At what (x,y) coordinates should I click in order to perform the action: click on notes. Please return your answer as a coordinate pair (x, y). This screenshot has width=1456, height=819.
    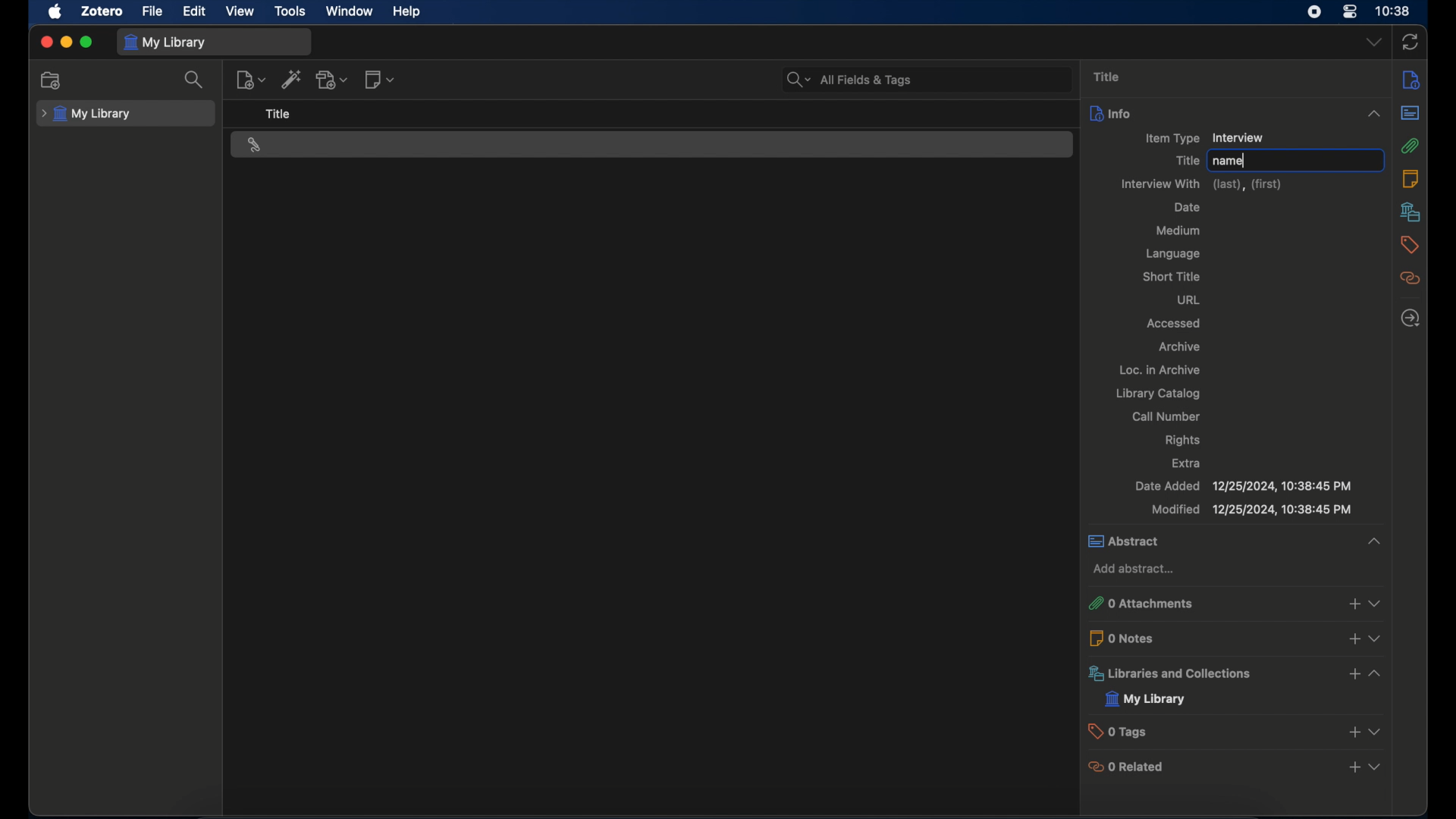
    Looking at the image, I should click on (1410, 179).